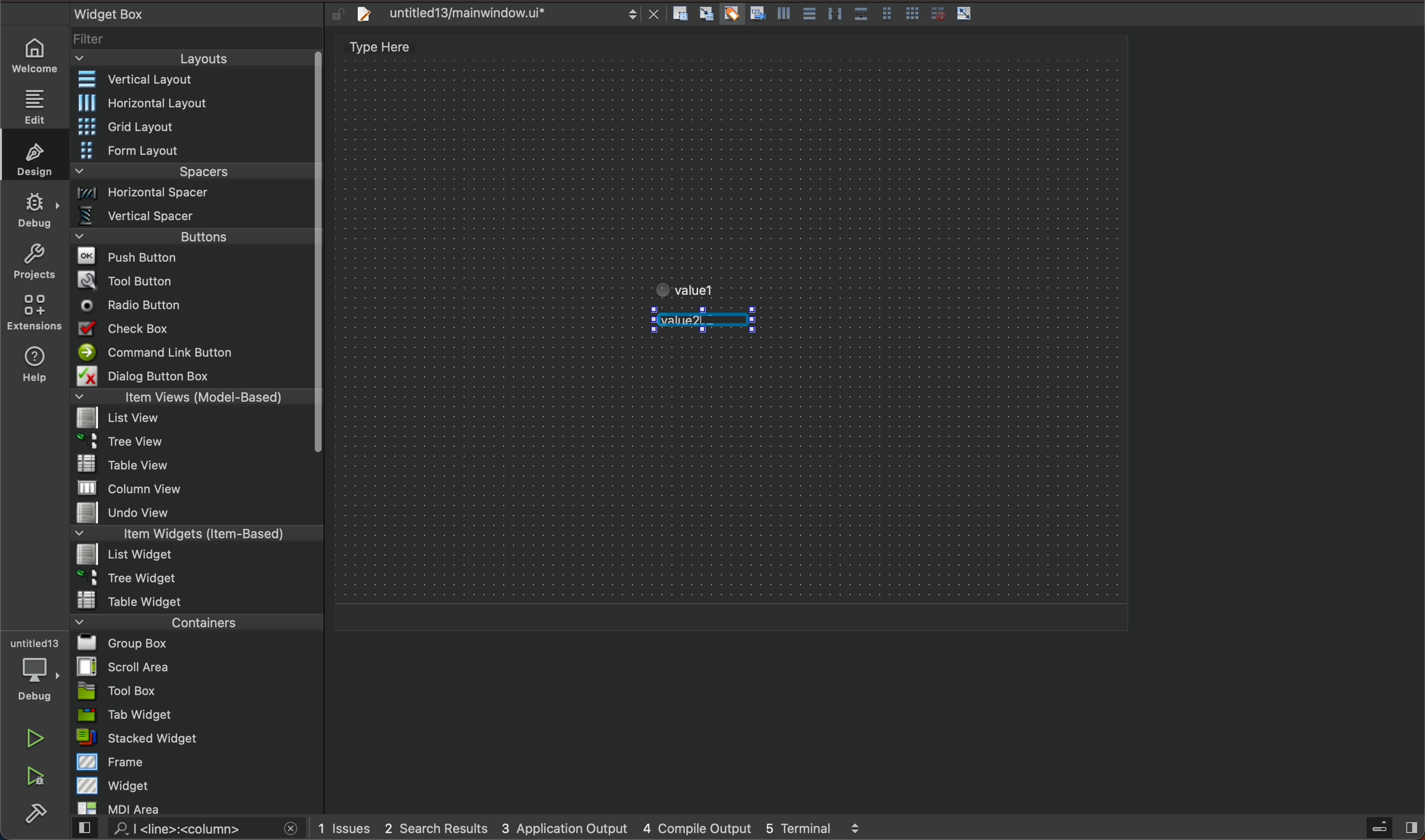 This screenshot has width=1425, height=840. Describe the element at coordinates (194, 128) in the screenshot. I see `` at that location.